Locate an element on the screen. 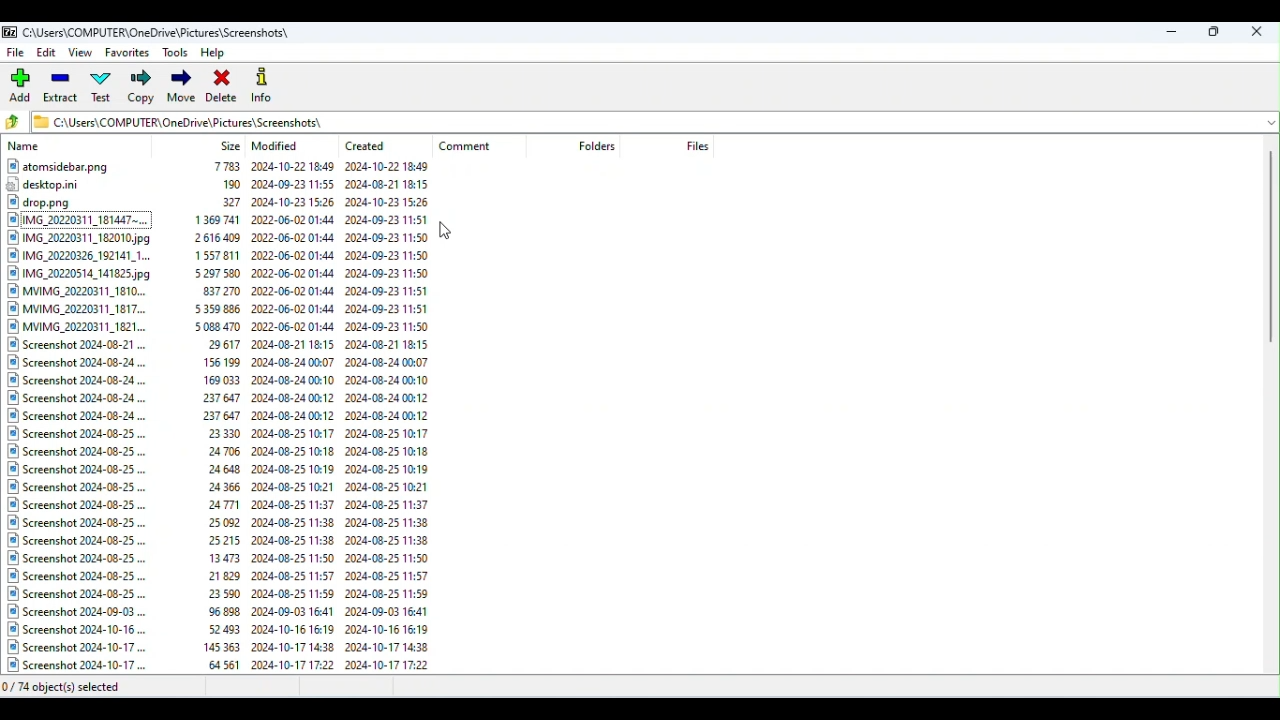 The width and height of the screenshot is (1280, 720). Size is located at coordinates (231, 145).